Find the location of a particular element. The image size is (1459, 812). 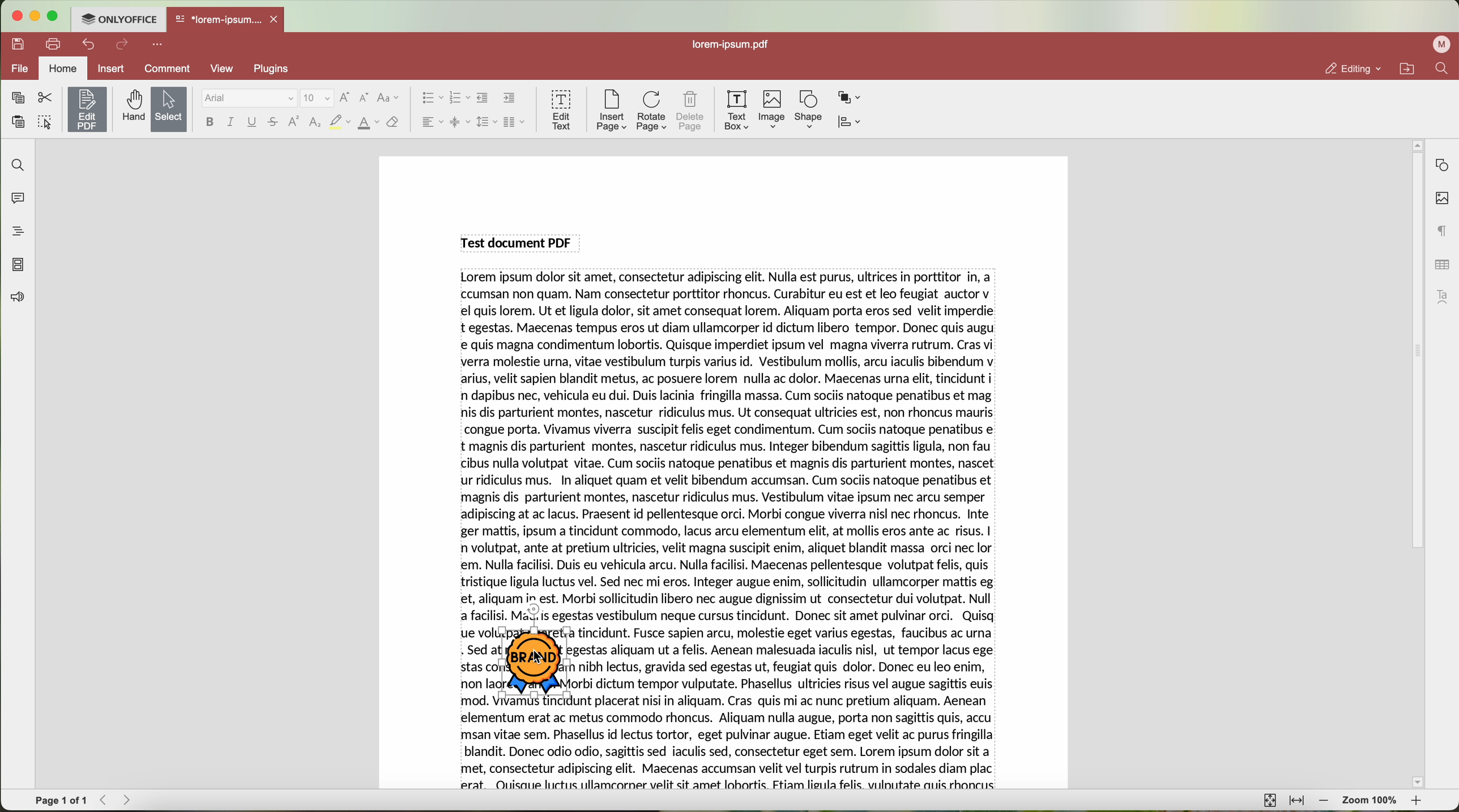

hand is located at coordinates (132, 106).